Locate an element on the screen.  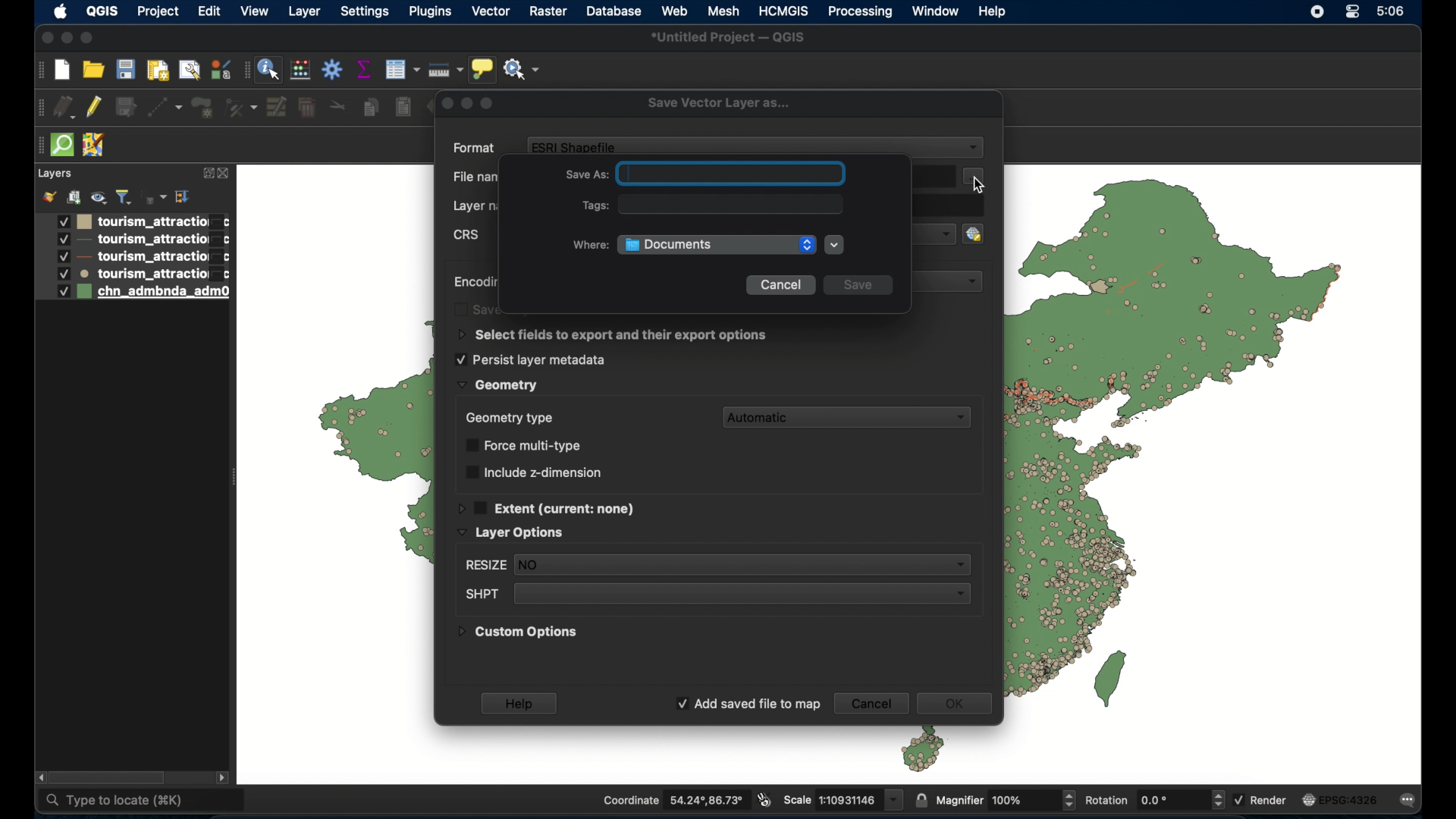
add saved file to map is located at coordinates (748, 704).